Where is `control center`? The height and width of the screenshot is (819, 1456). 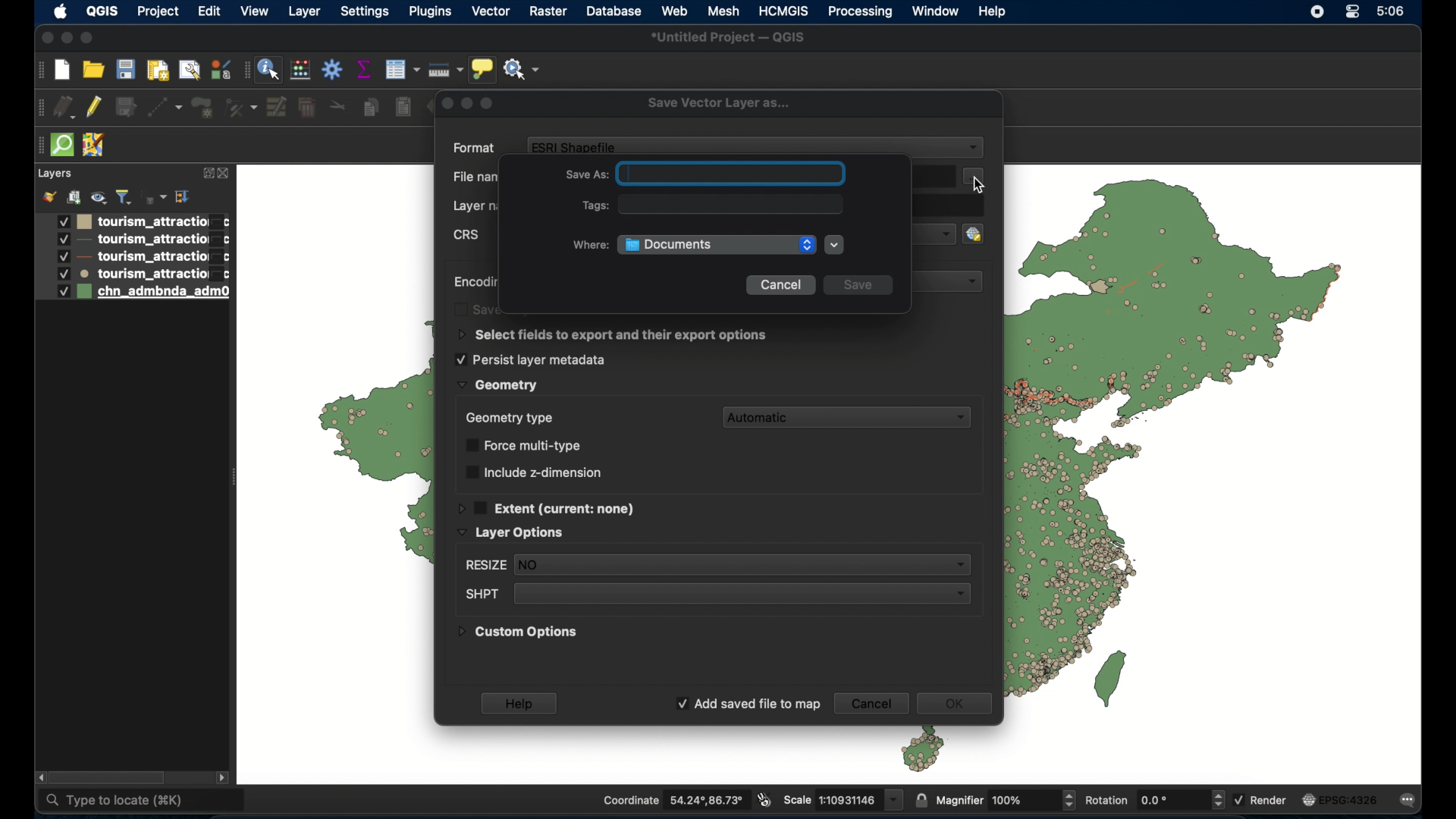 control center is located at coordinates (1355, 13).